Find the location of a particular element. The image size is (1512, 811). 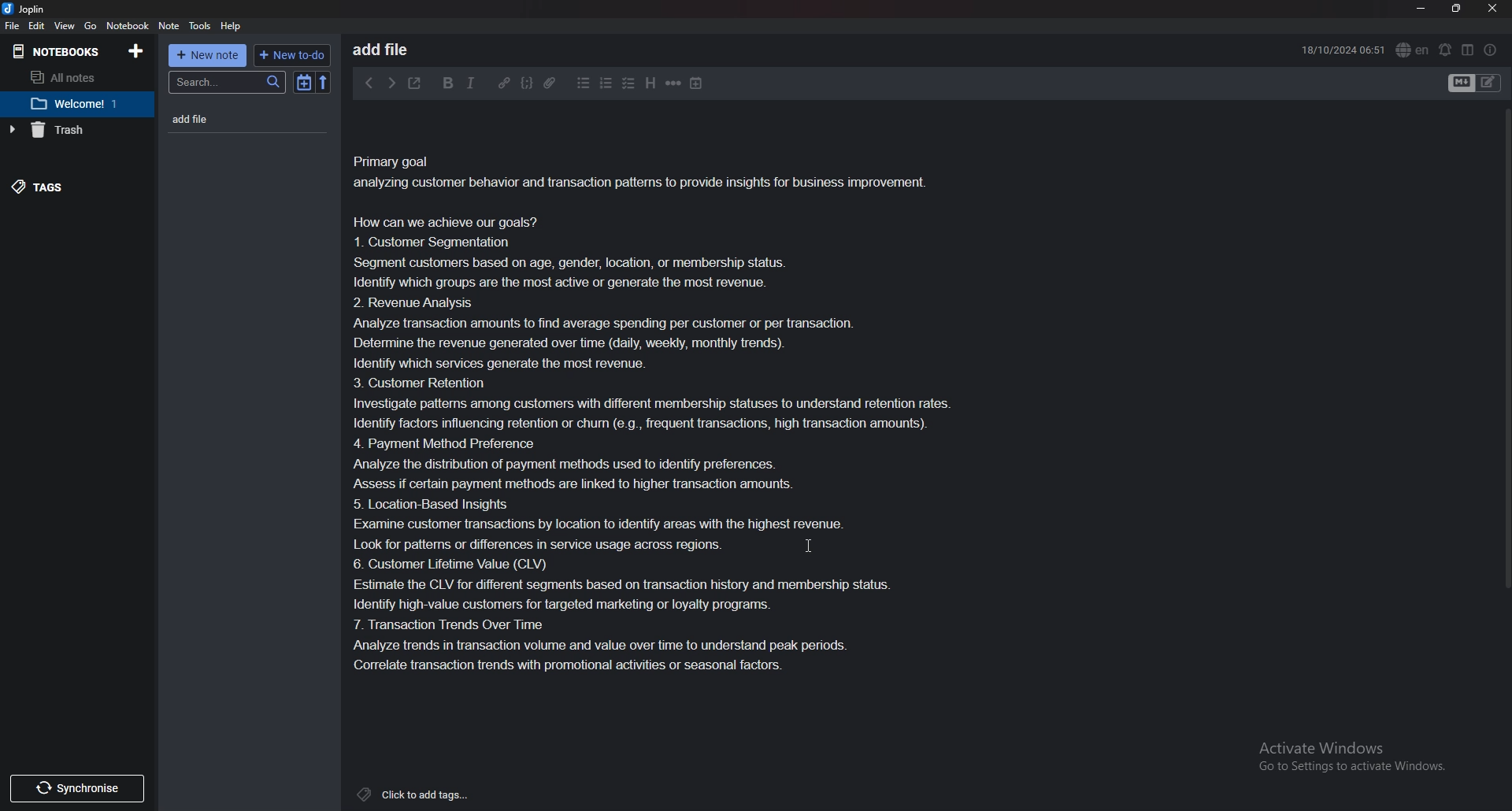

trash is located at coordinates (70, 130).